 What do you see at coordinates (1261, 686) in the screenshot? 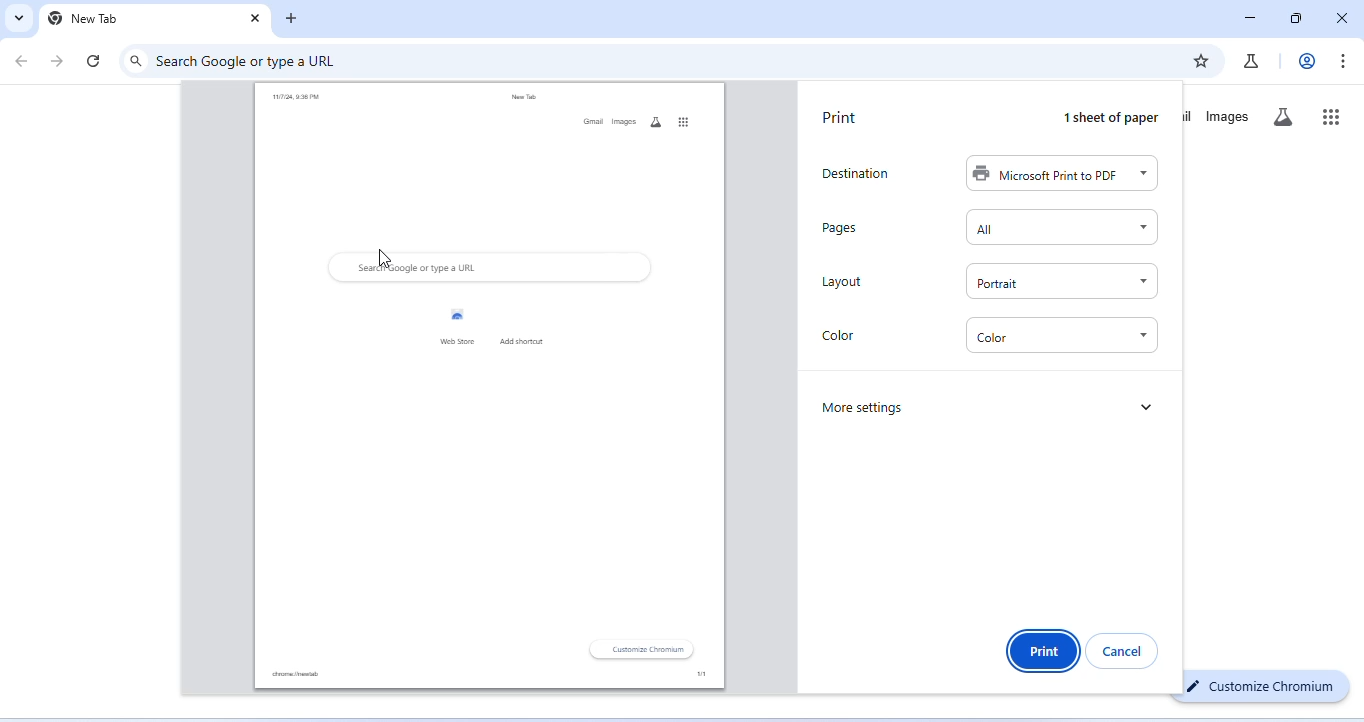
I see `customize chromium` at bounding box center [1261, 686].